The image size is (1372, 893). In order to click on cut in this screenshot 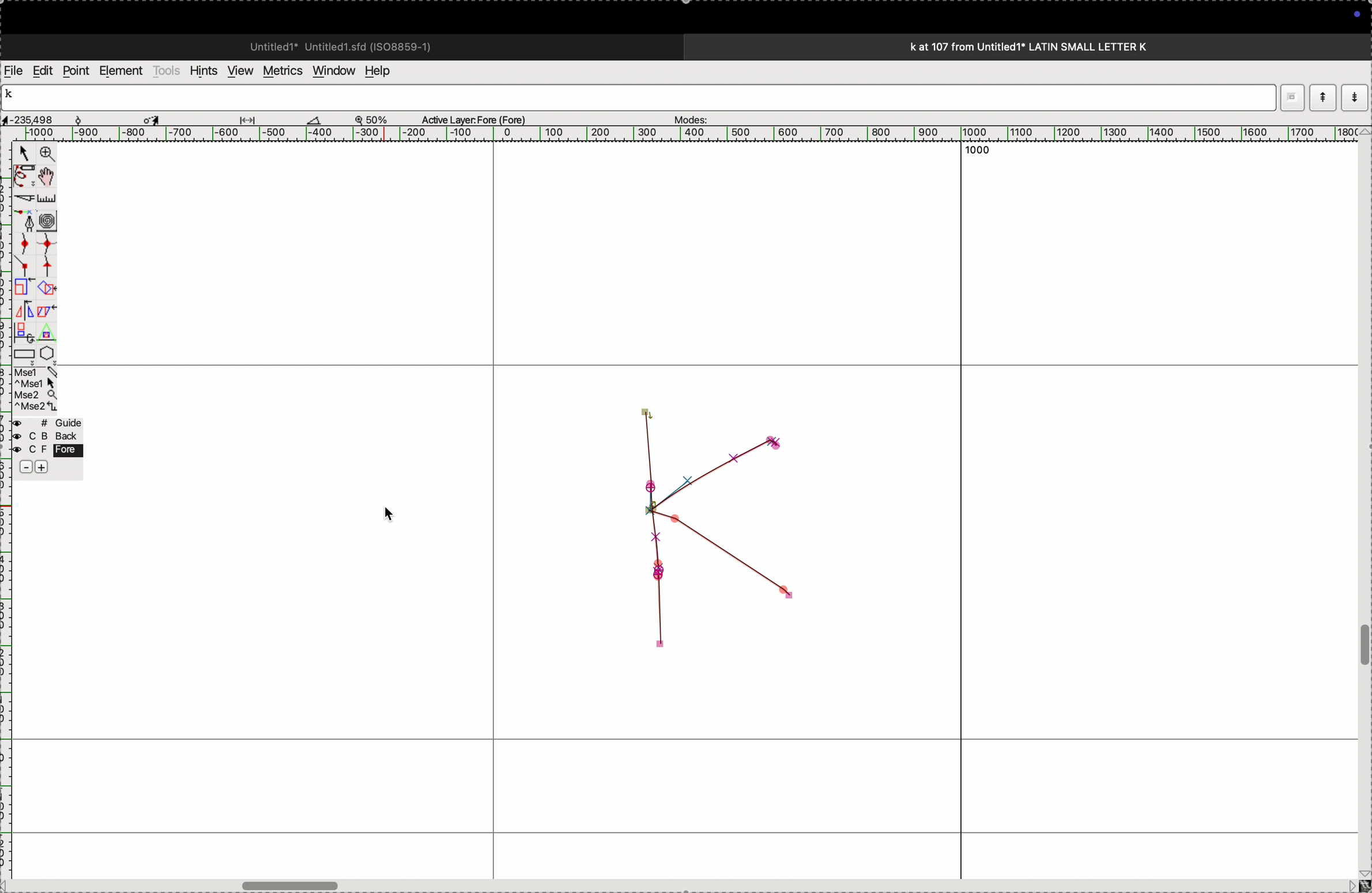, I will do `click(22, 198)`.